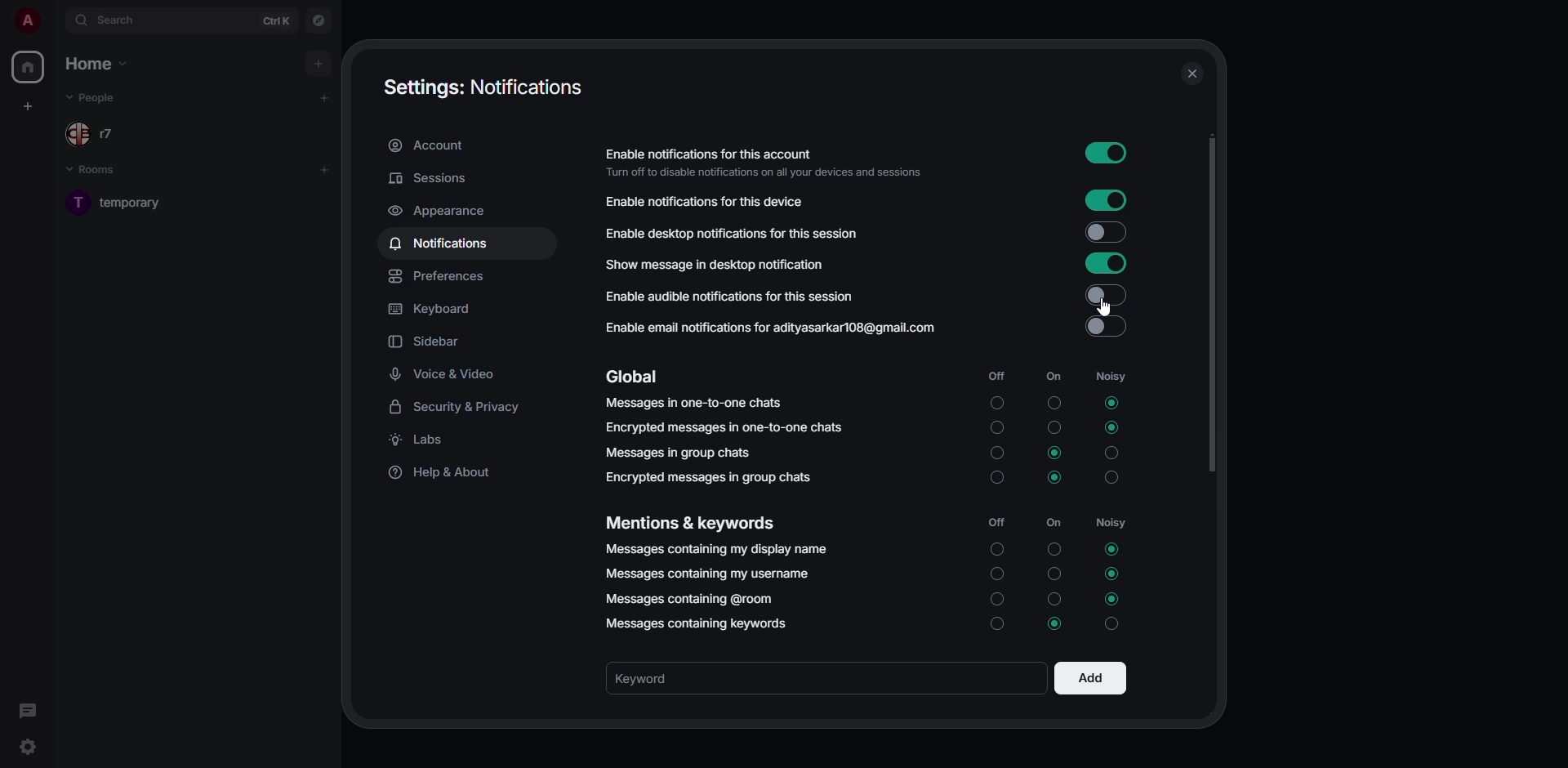  Describe the element at coordinates (1116, 625) in the screenshot. I see `noisy` at that location.